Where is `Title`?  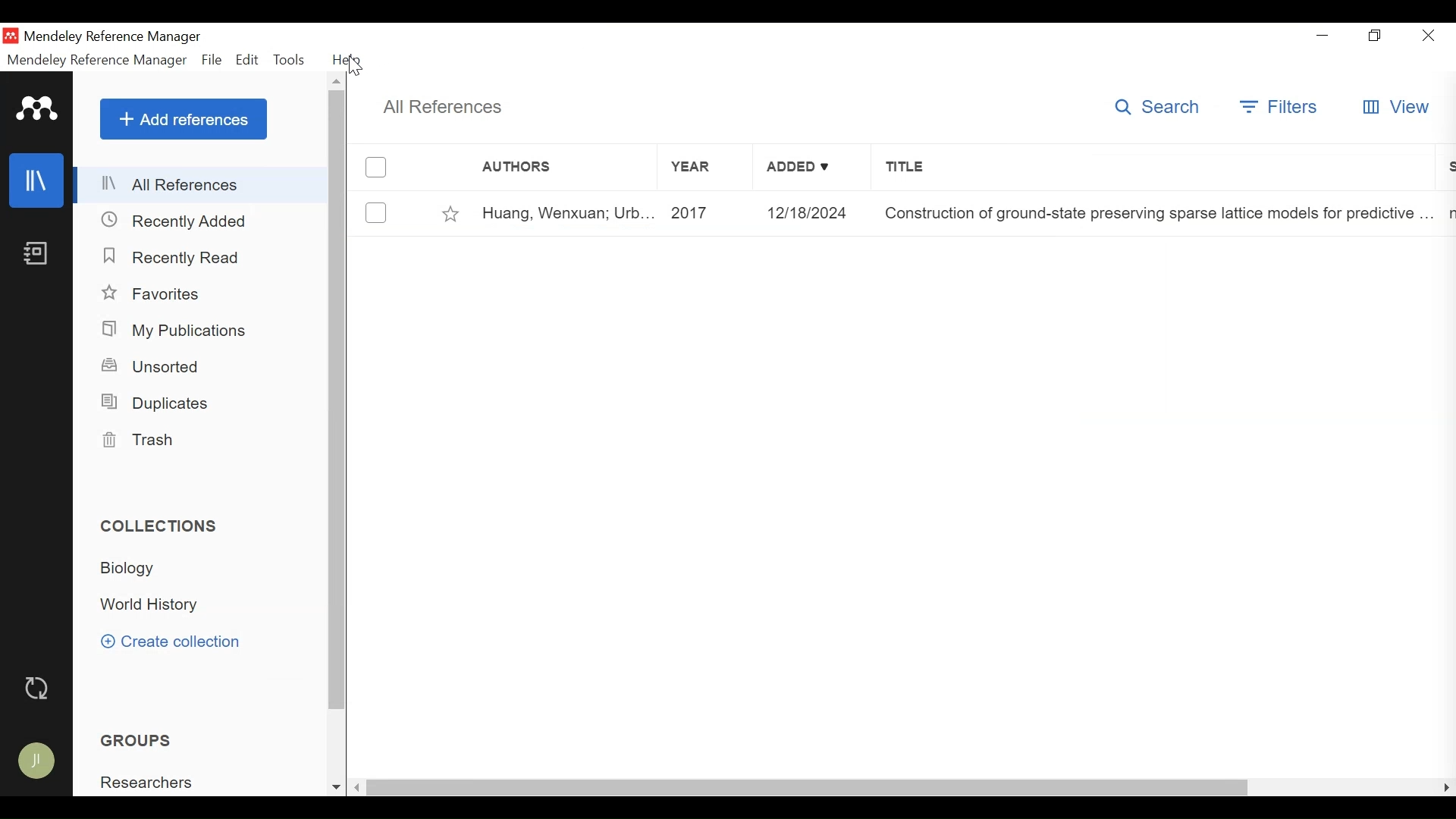 Title is located at coordinates (1153, 170).